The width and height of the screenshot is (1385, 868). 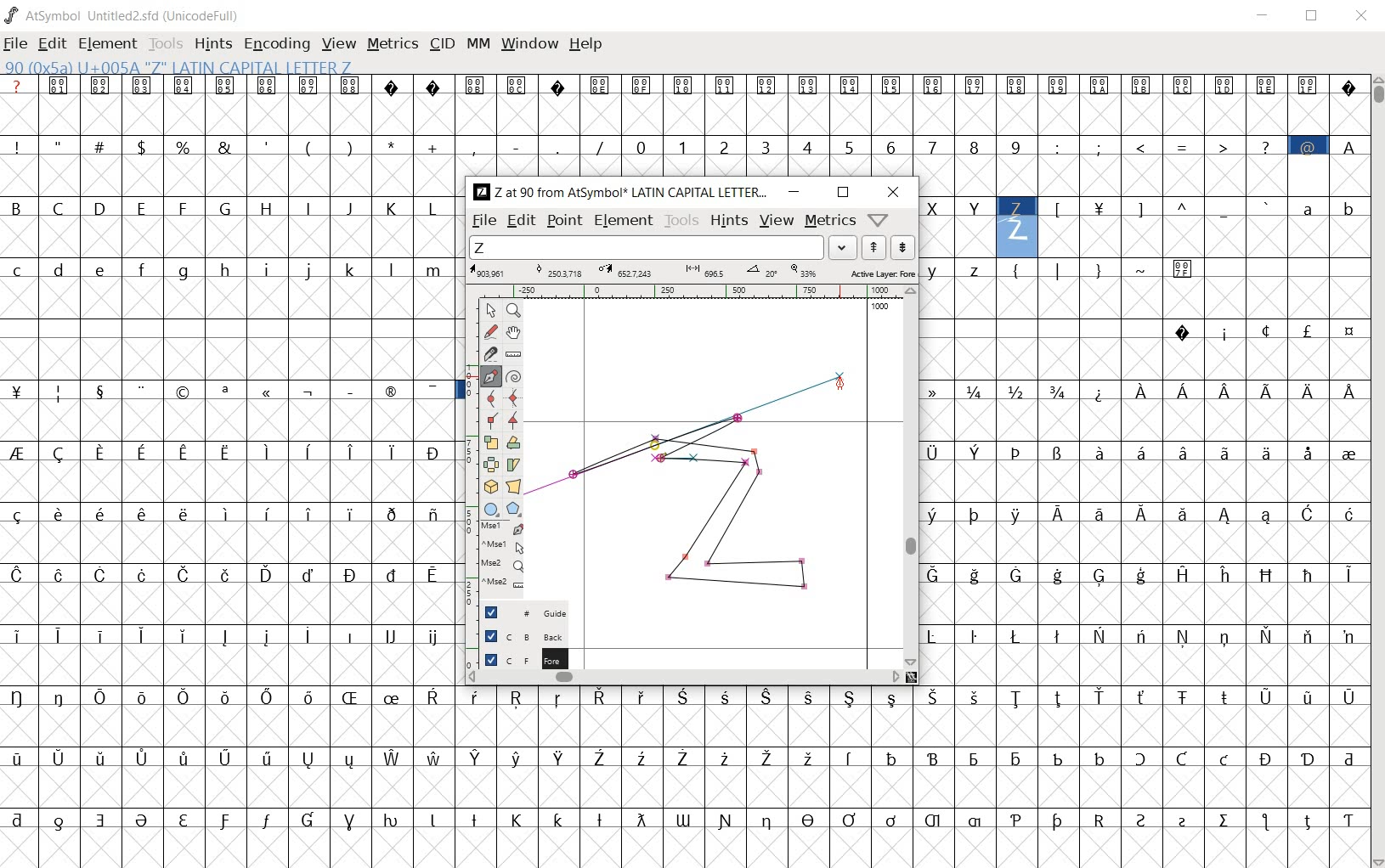 What do you see at coordinates (843, 386) in the screenshot?
I see `CURSOR` at bounding box center [843, 386].